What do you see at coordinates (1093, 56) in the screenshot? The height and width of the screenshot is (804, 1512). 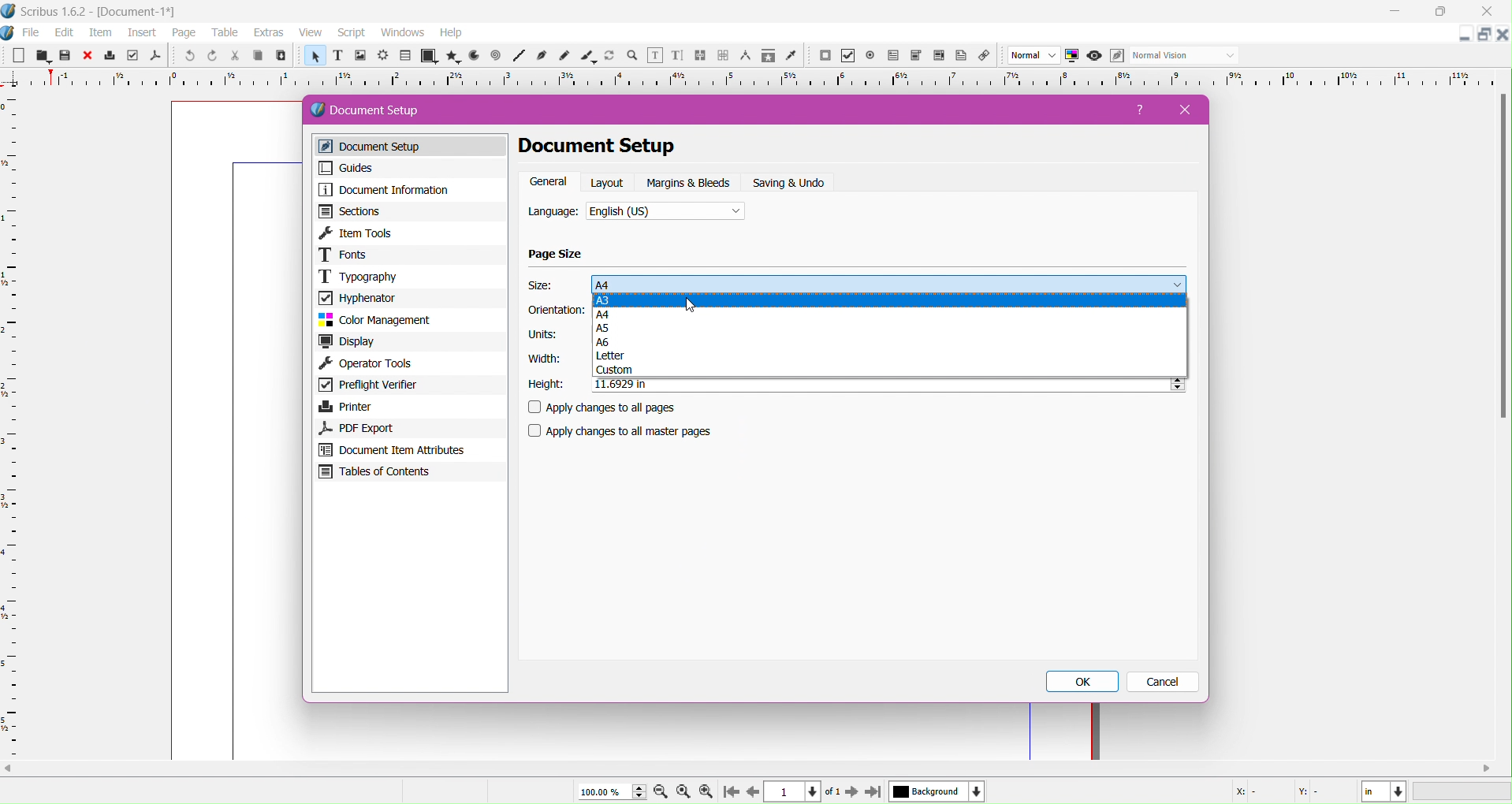 I see `preview mode` at bounding box center [1093, 56].